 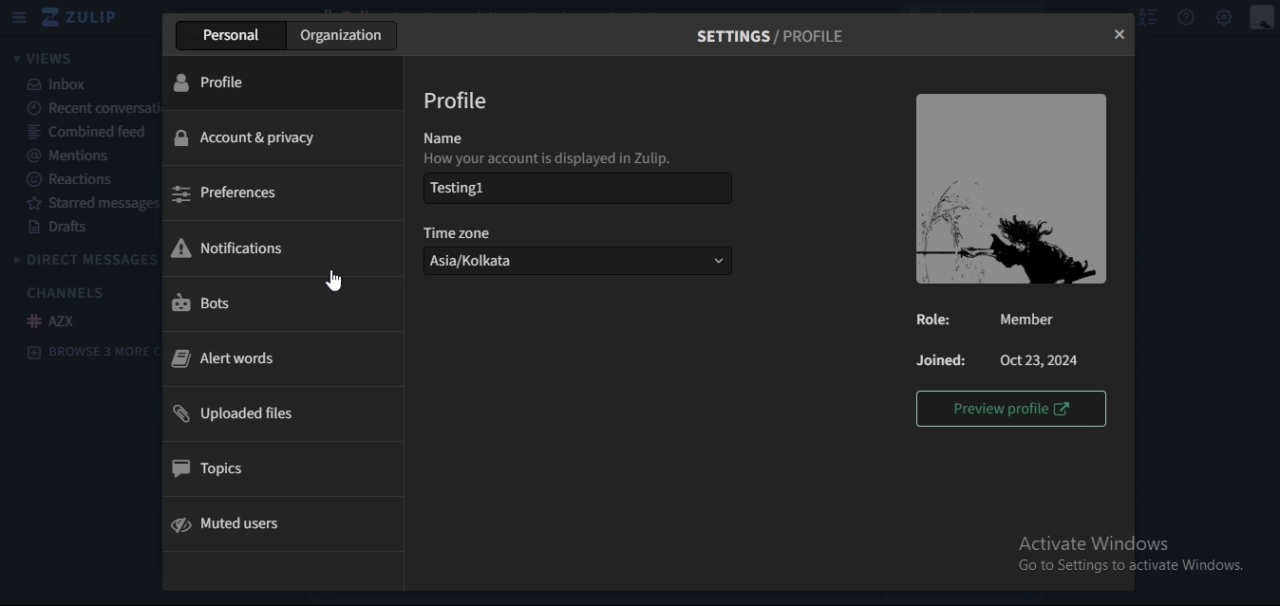 I want to click on personal, so click(x=235, y=35).